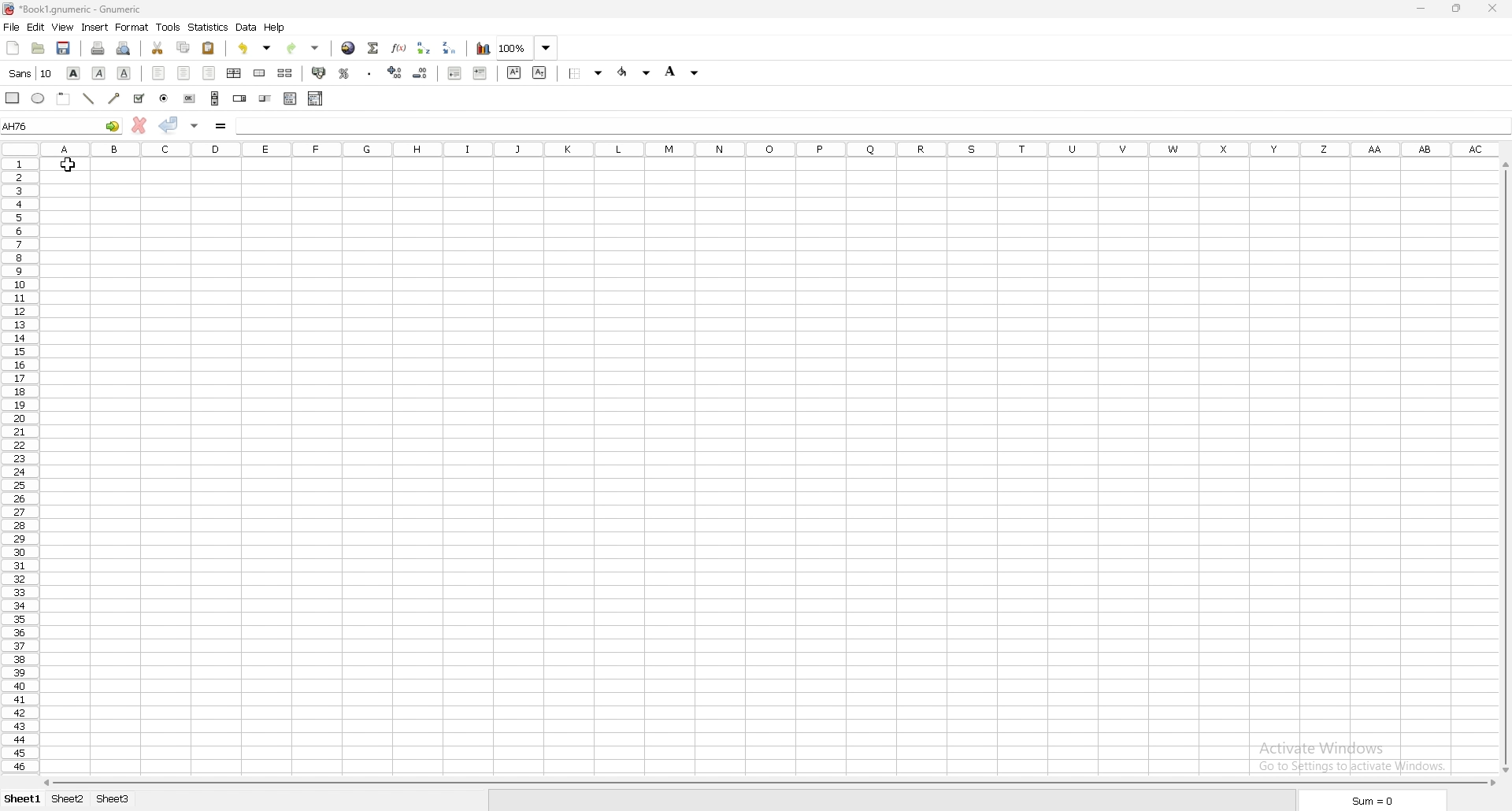 Image resolution: width=1512 pixels, height=811 pixels. Describe the element at coordinates (394, 72) in the screenshot. I see `increase decimal` at that location.